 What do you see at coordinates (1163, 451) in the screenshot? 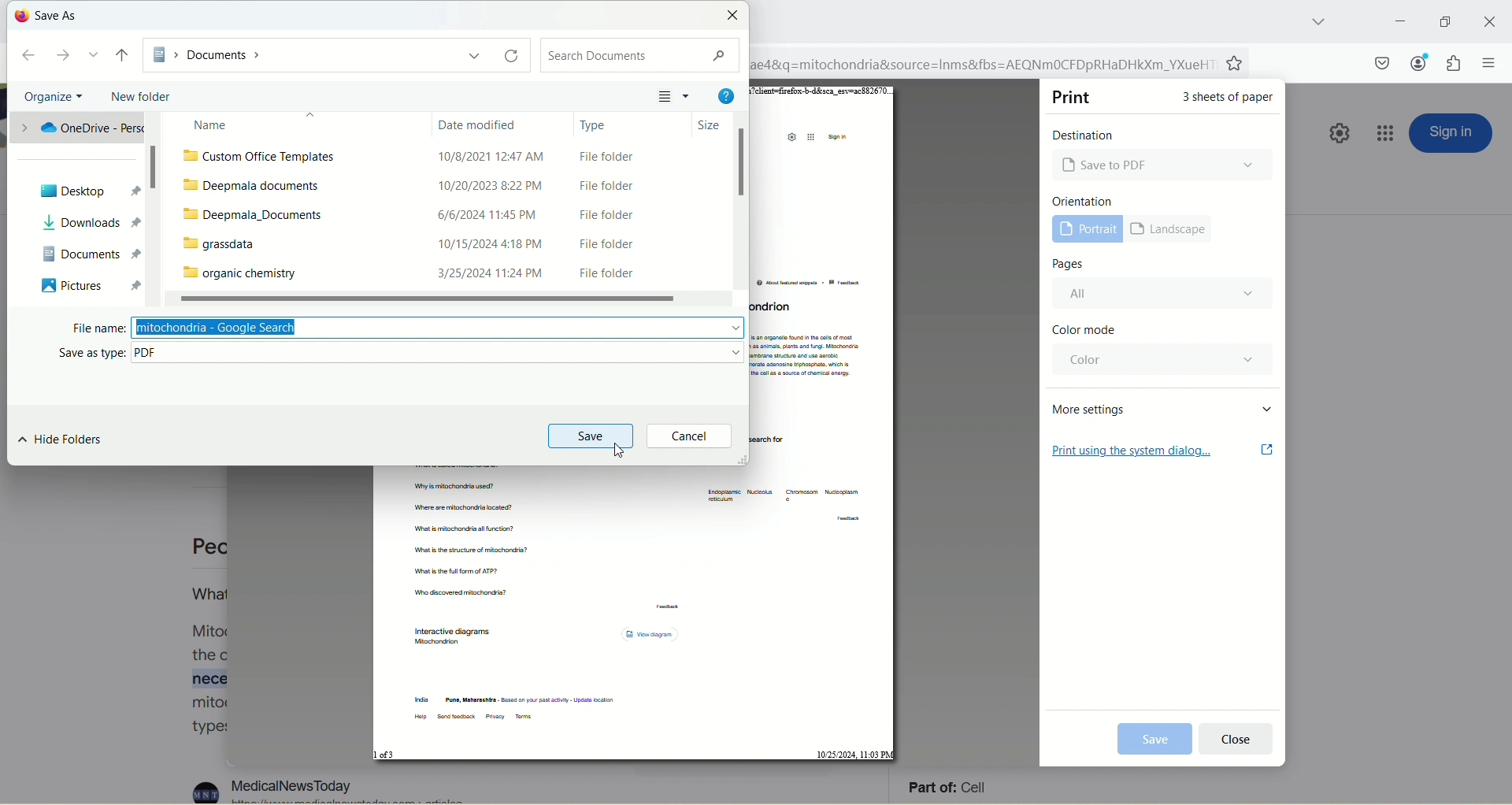
I see `print using the system dialog` at bounding box center [1163, 451].